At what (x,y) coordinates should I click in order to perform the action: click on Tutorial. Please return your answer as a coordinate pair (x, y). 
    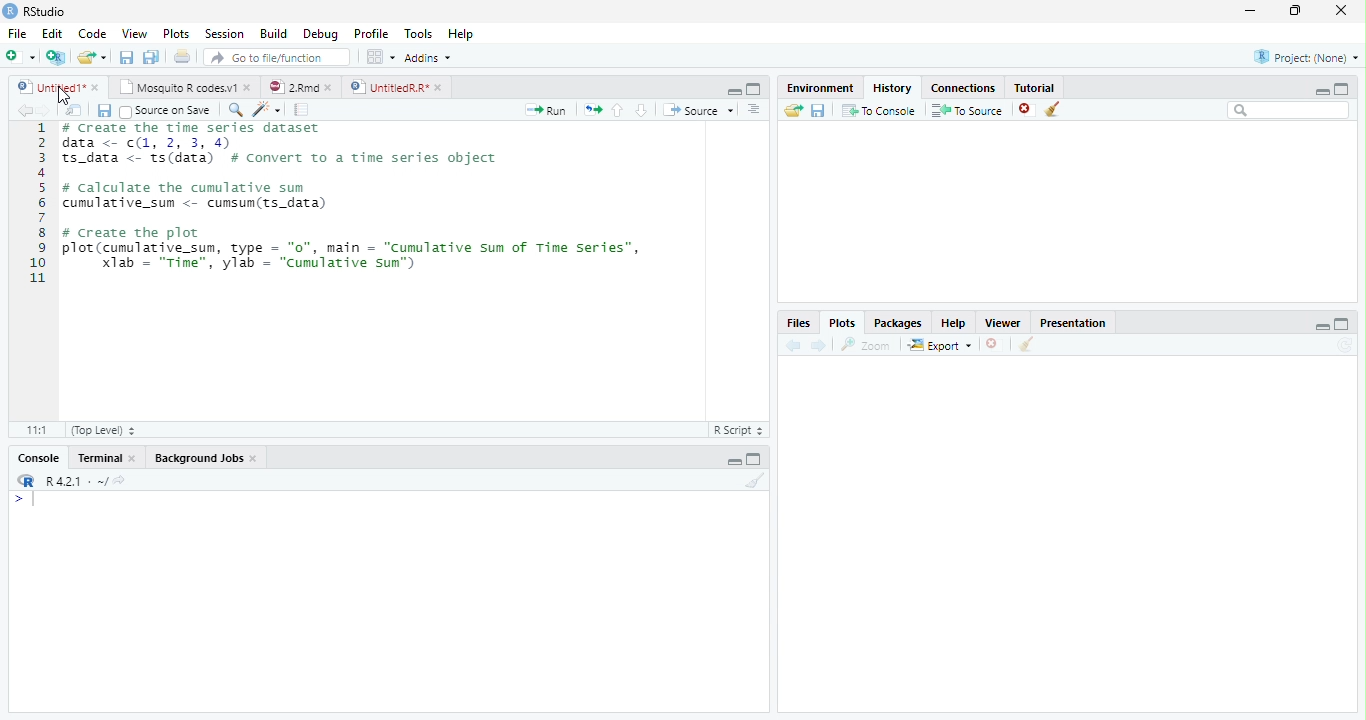
    Looking at the image, I should click on (1036, 86).